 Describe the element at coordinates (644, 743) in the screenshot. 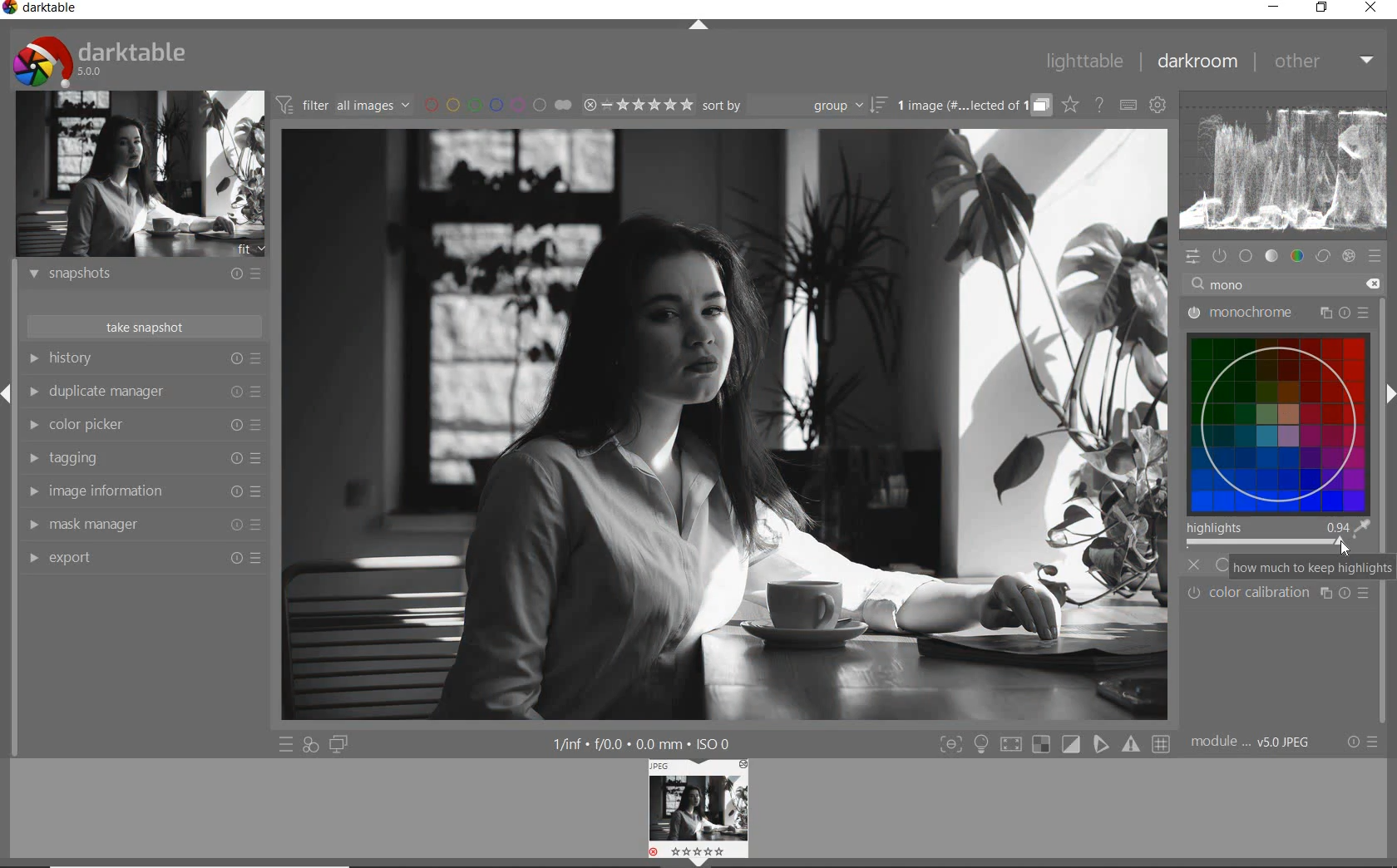

I see `1/inf*f/0.0 mm*ISO 0` at that location.